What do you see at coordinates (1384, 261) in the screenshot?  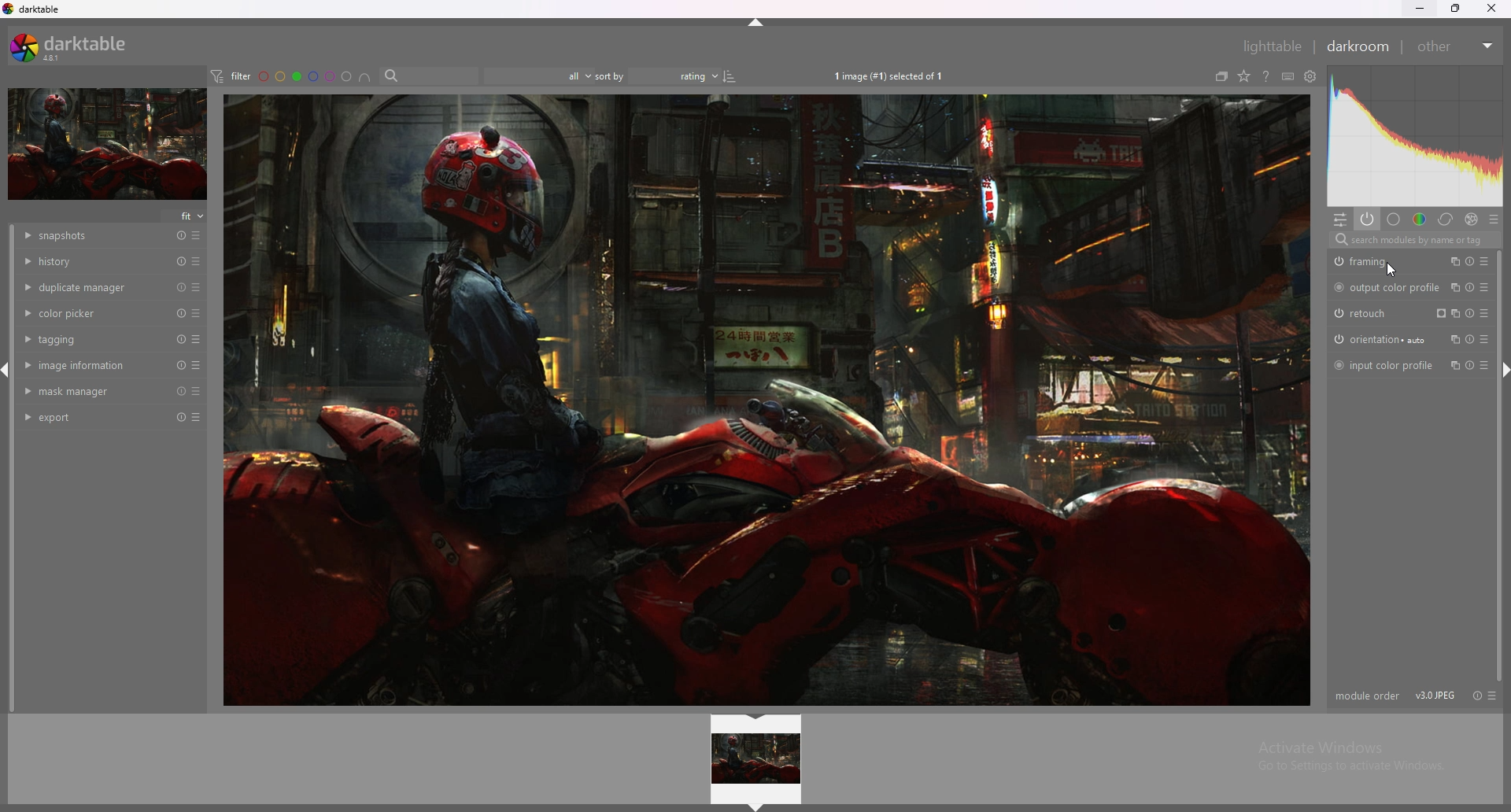 I see `framing` at bounding box center [1384, 261].